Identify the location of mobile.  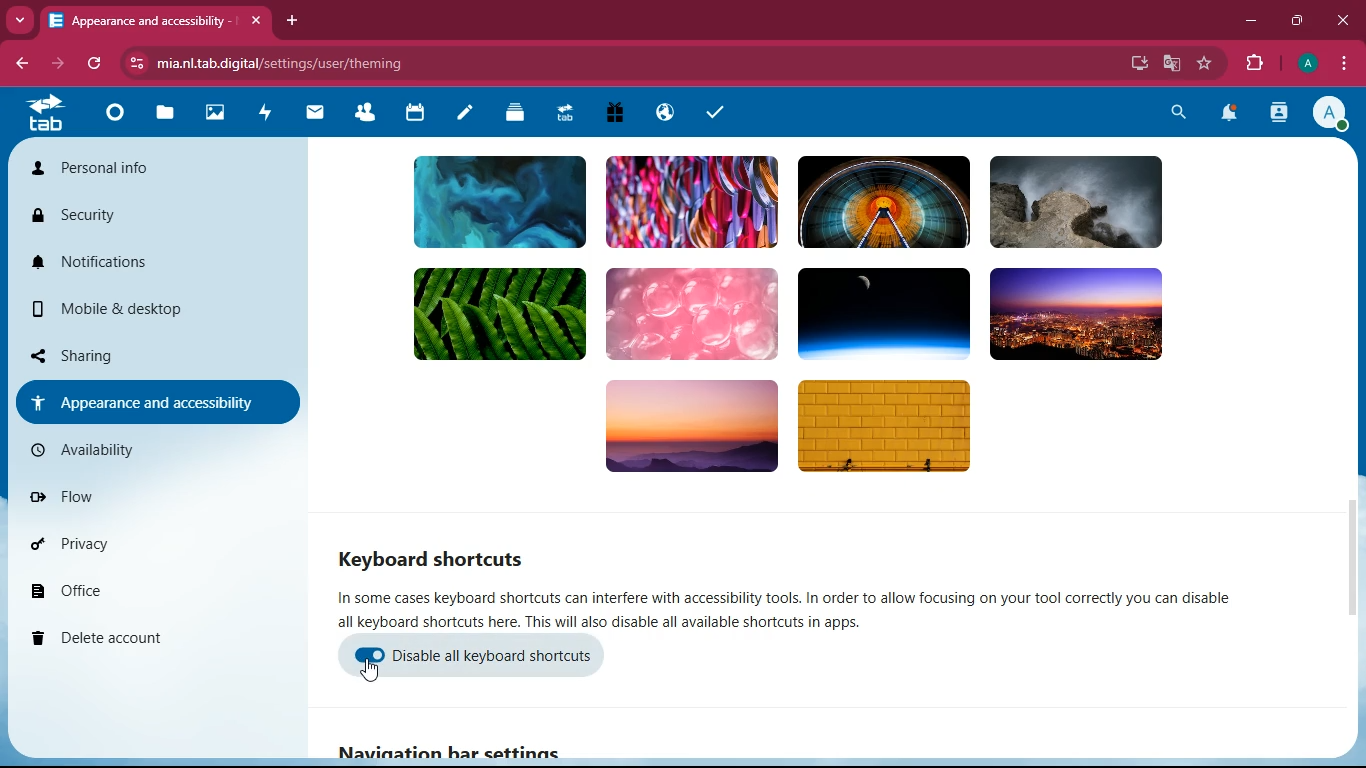
(144, 304).